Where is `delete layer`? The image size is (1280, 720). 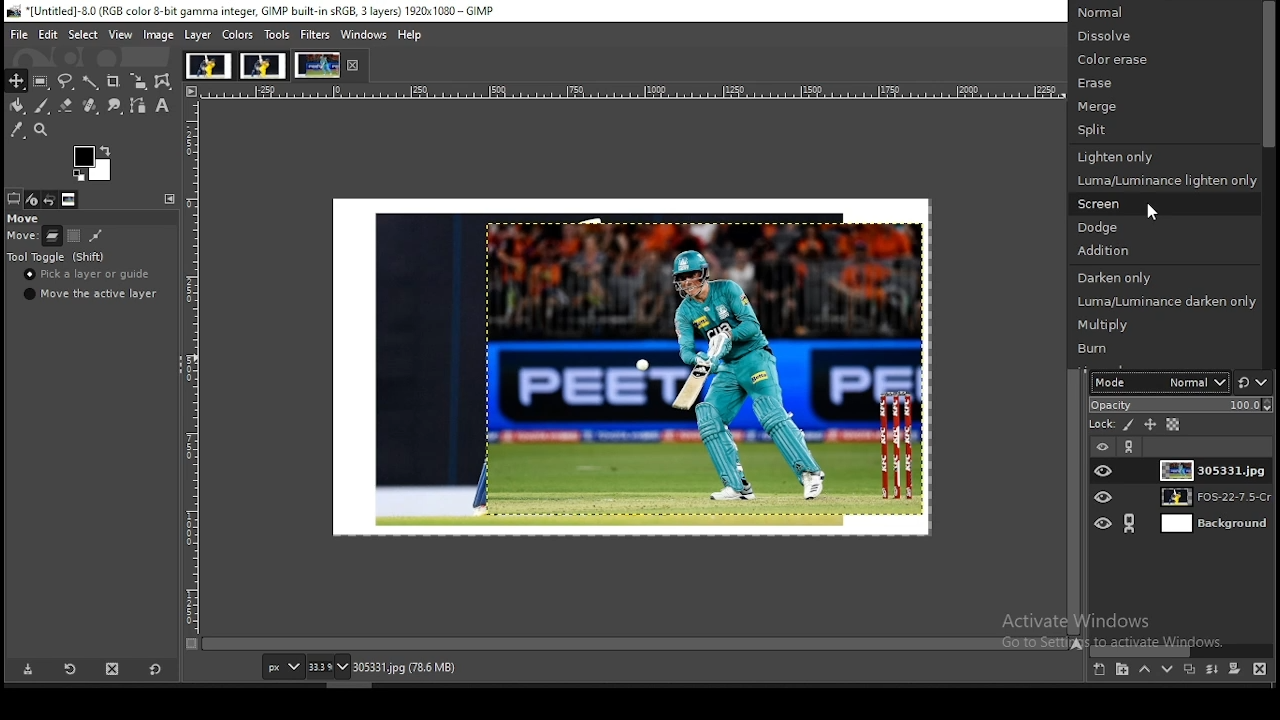 delete layer is located at coordinates (1261, 668).